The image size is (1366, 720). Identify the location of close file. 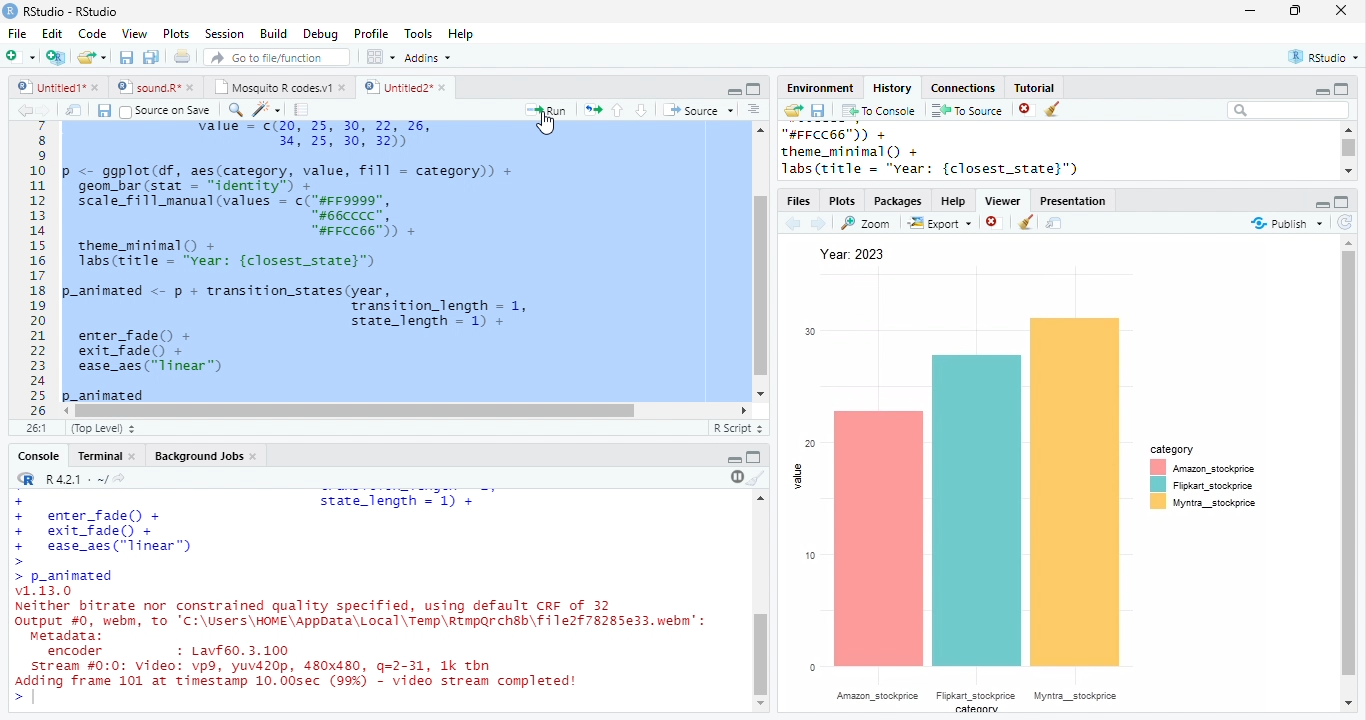
(1027, 109).